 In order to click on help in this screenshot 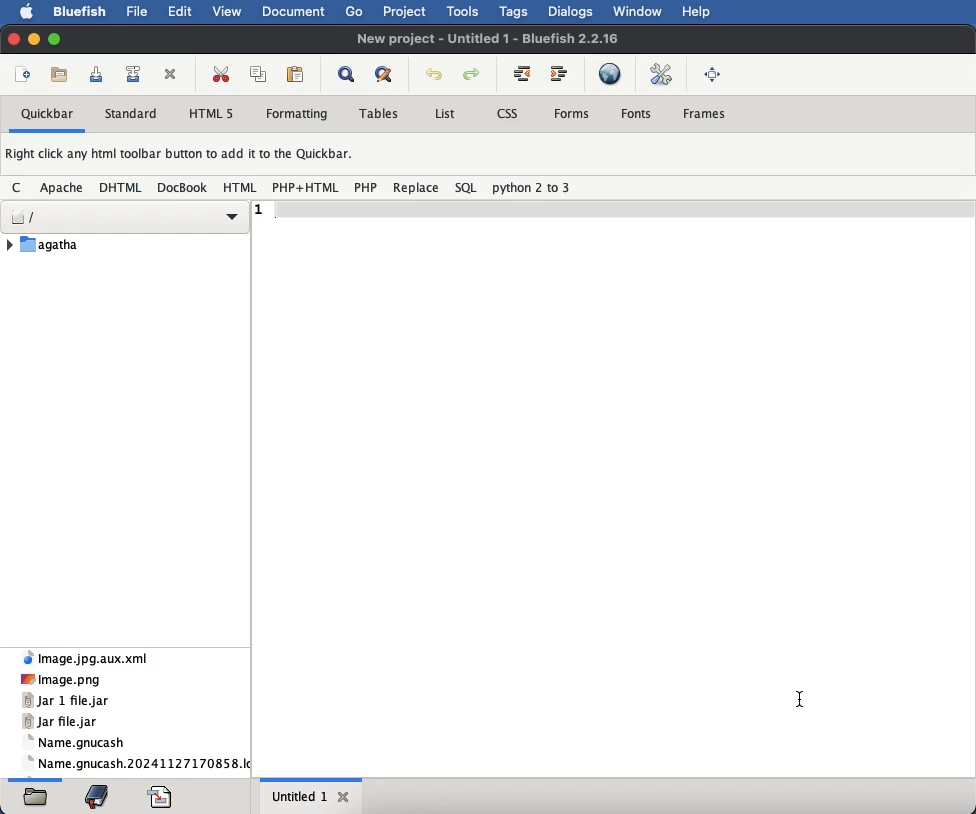, I will do `click(697, 12)`.